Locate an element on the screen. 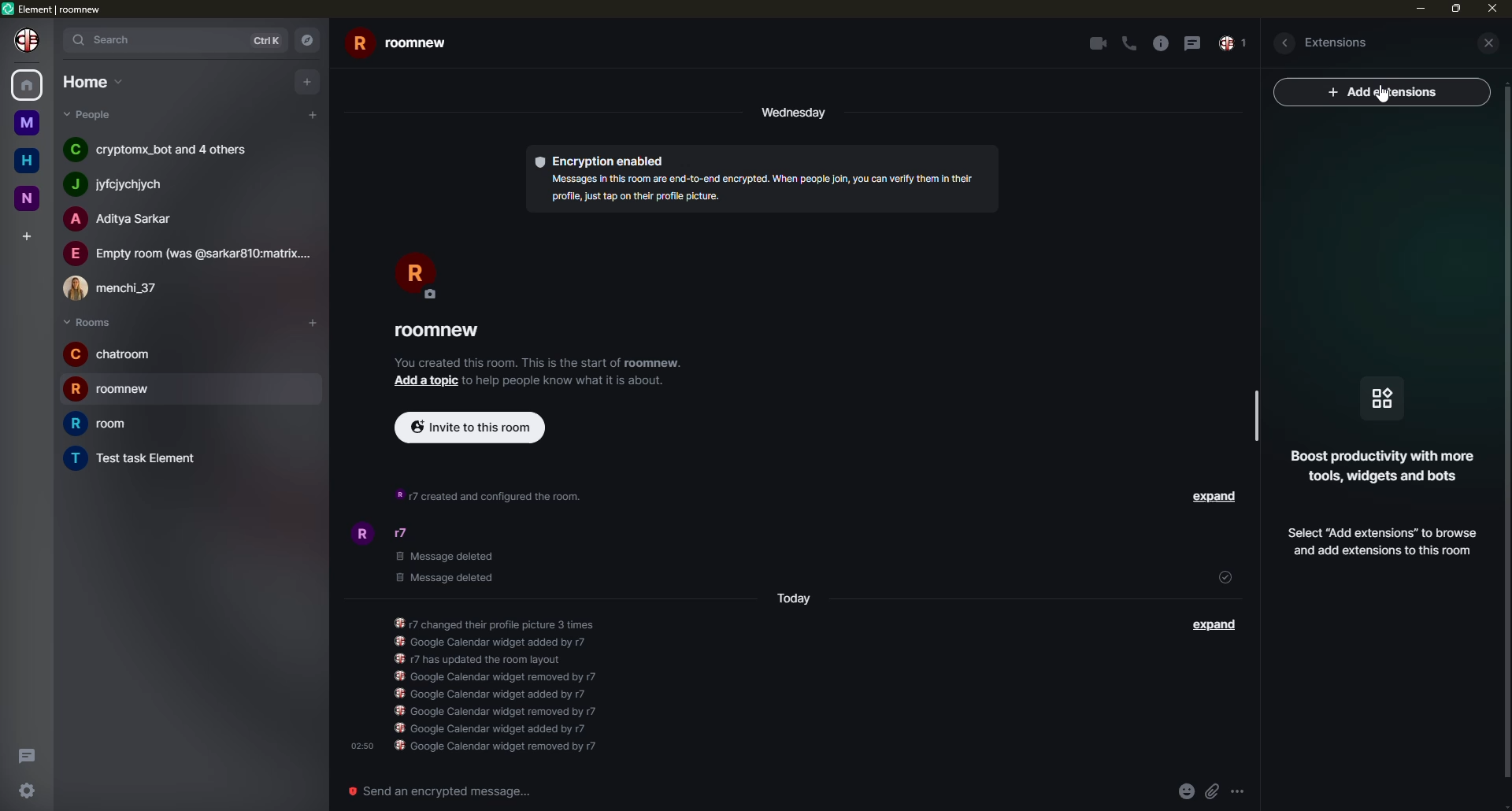  sent is located at coordinates (1223, 576).